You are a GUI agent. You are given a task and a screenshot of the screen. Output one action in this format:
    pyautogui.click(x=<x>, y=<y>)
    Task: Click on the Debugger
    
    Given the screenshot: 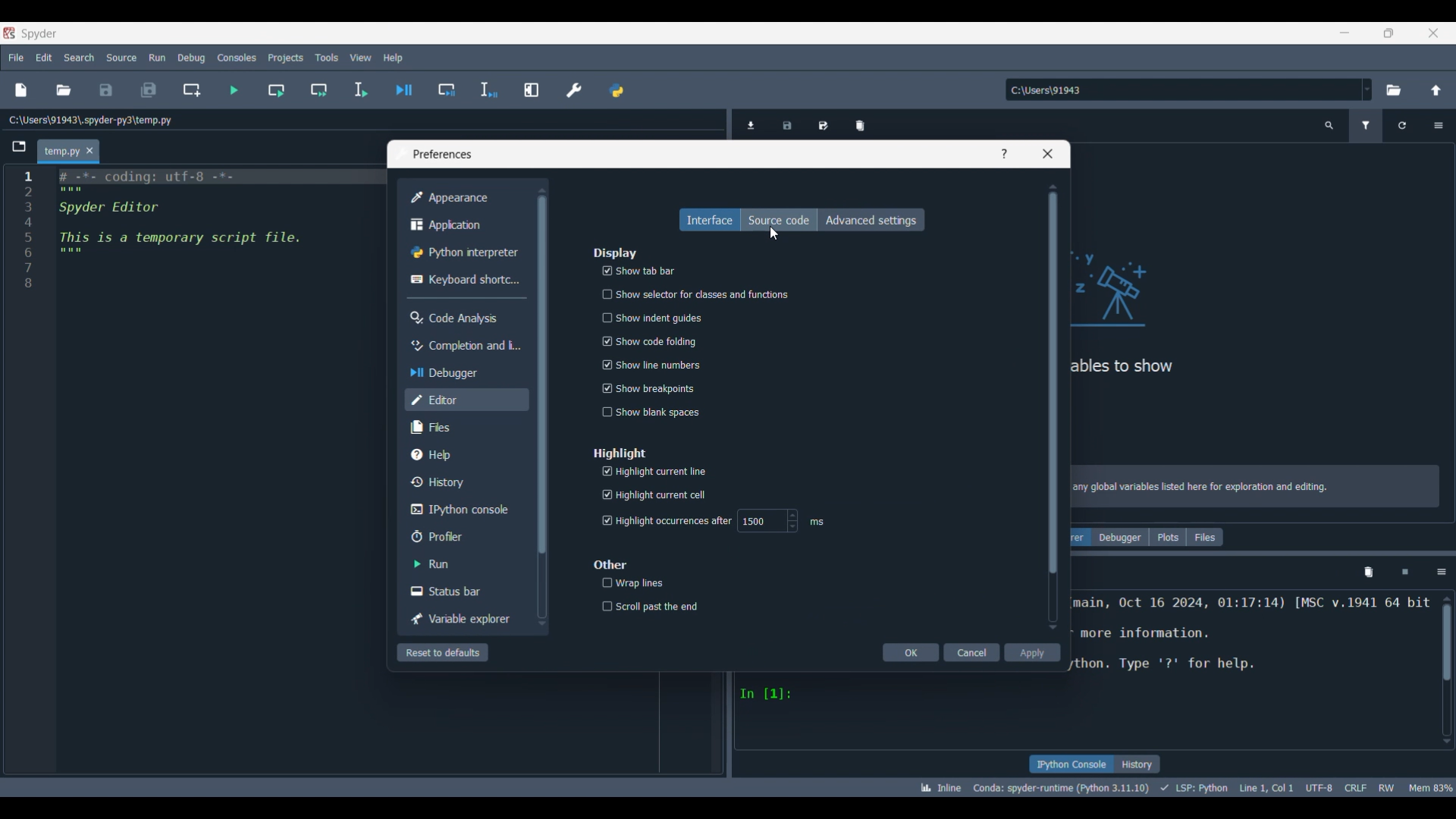 What is the action you would take?
    pyautogui.click(x=465, y=373)
    